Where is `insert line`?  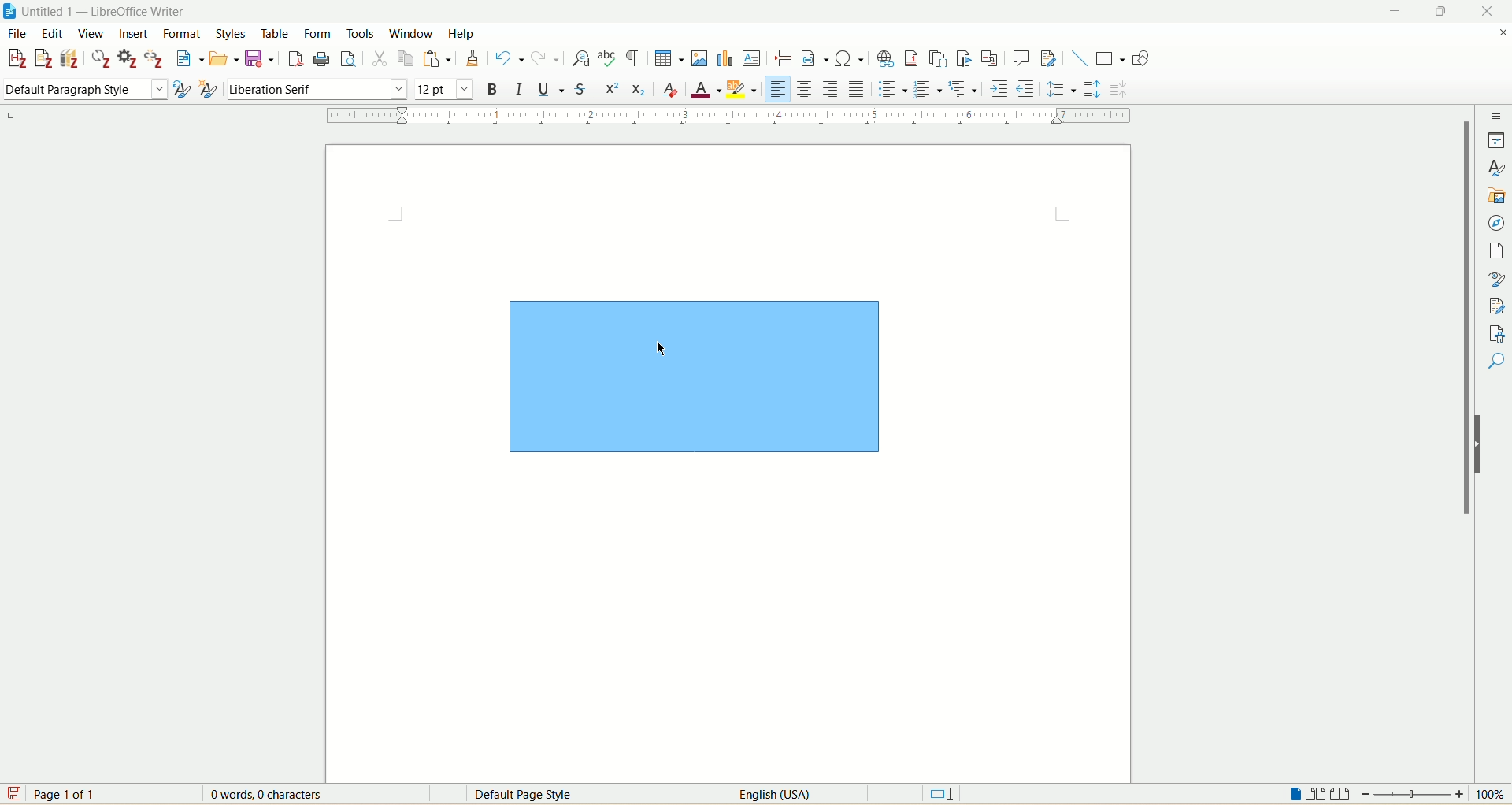 insert line is located at coordinates (1078, 58).